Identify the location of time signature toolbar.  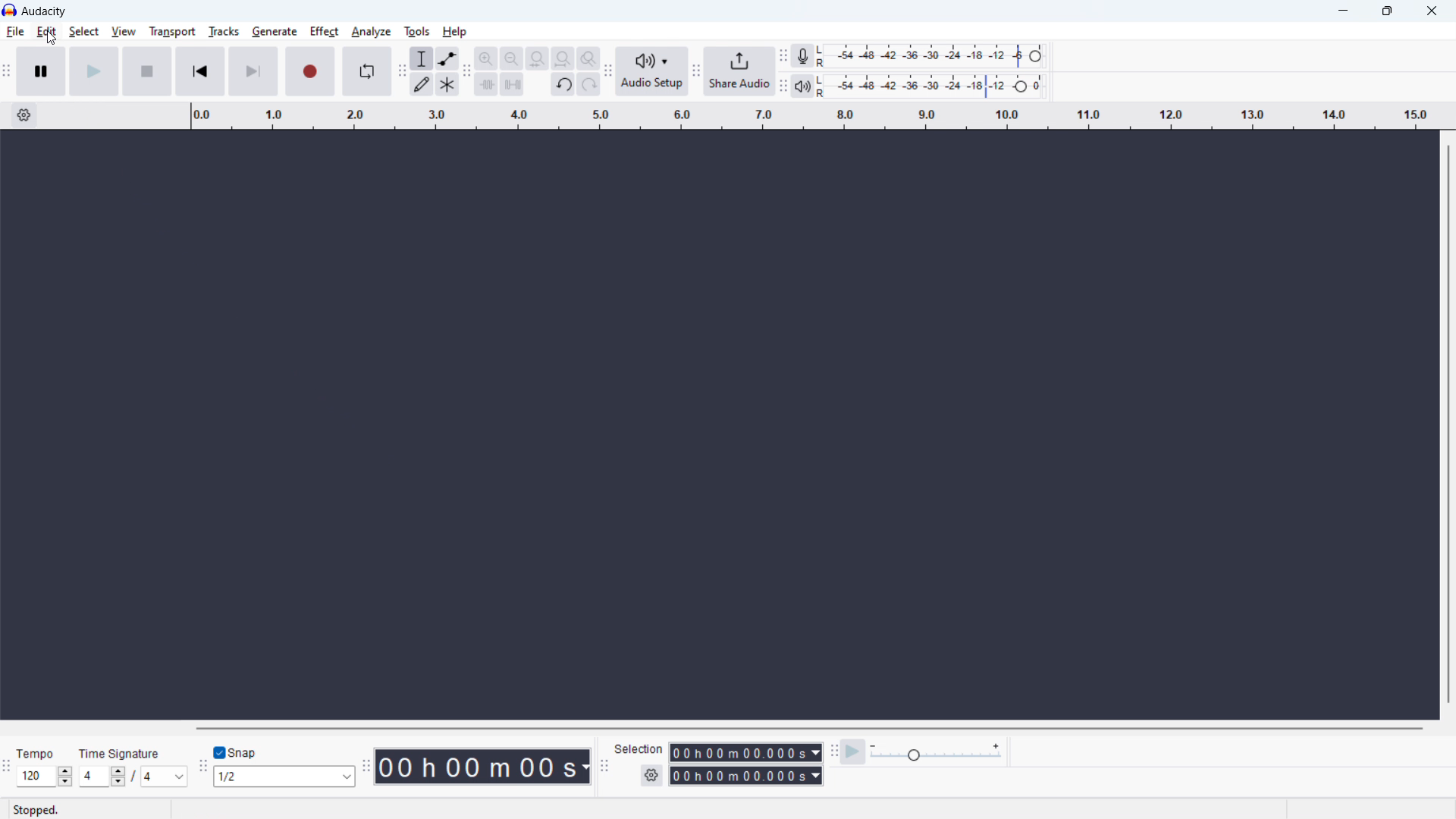
(6, 767).